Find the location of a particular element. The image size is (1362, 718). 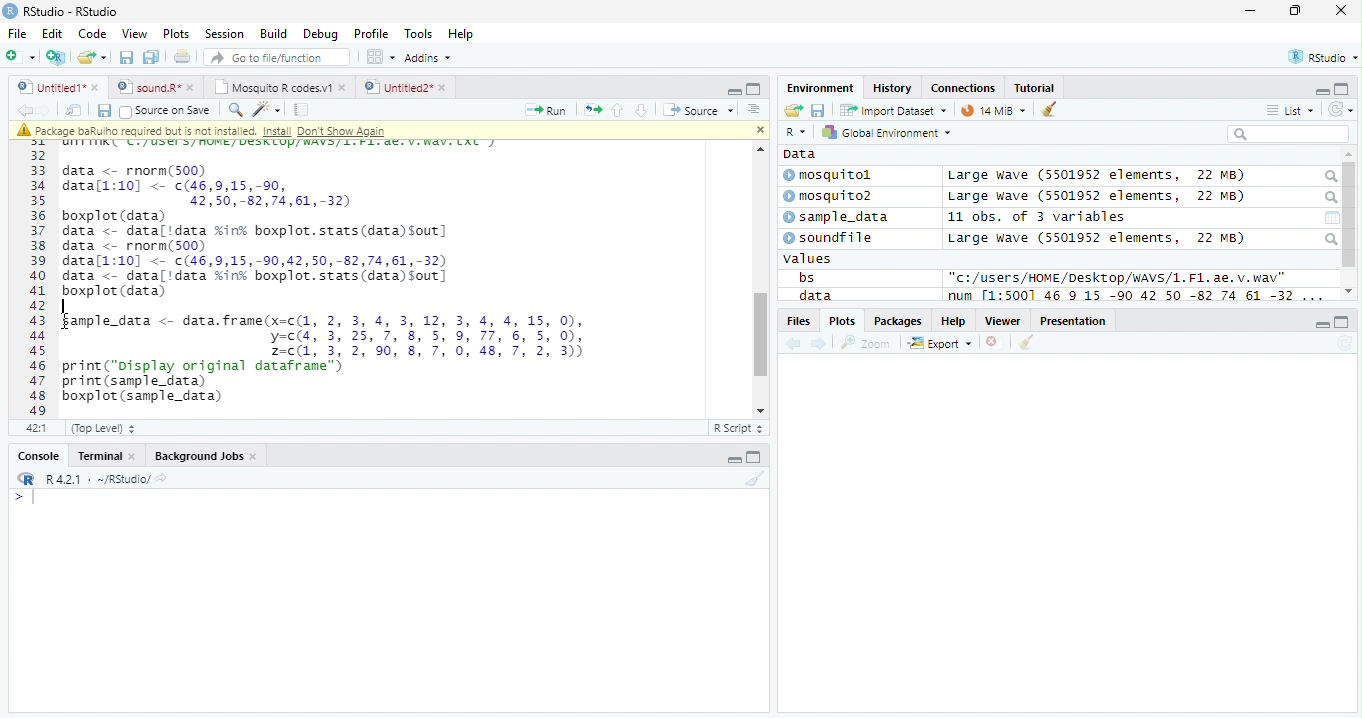

Profile is located at coordinates (371, 33).